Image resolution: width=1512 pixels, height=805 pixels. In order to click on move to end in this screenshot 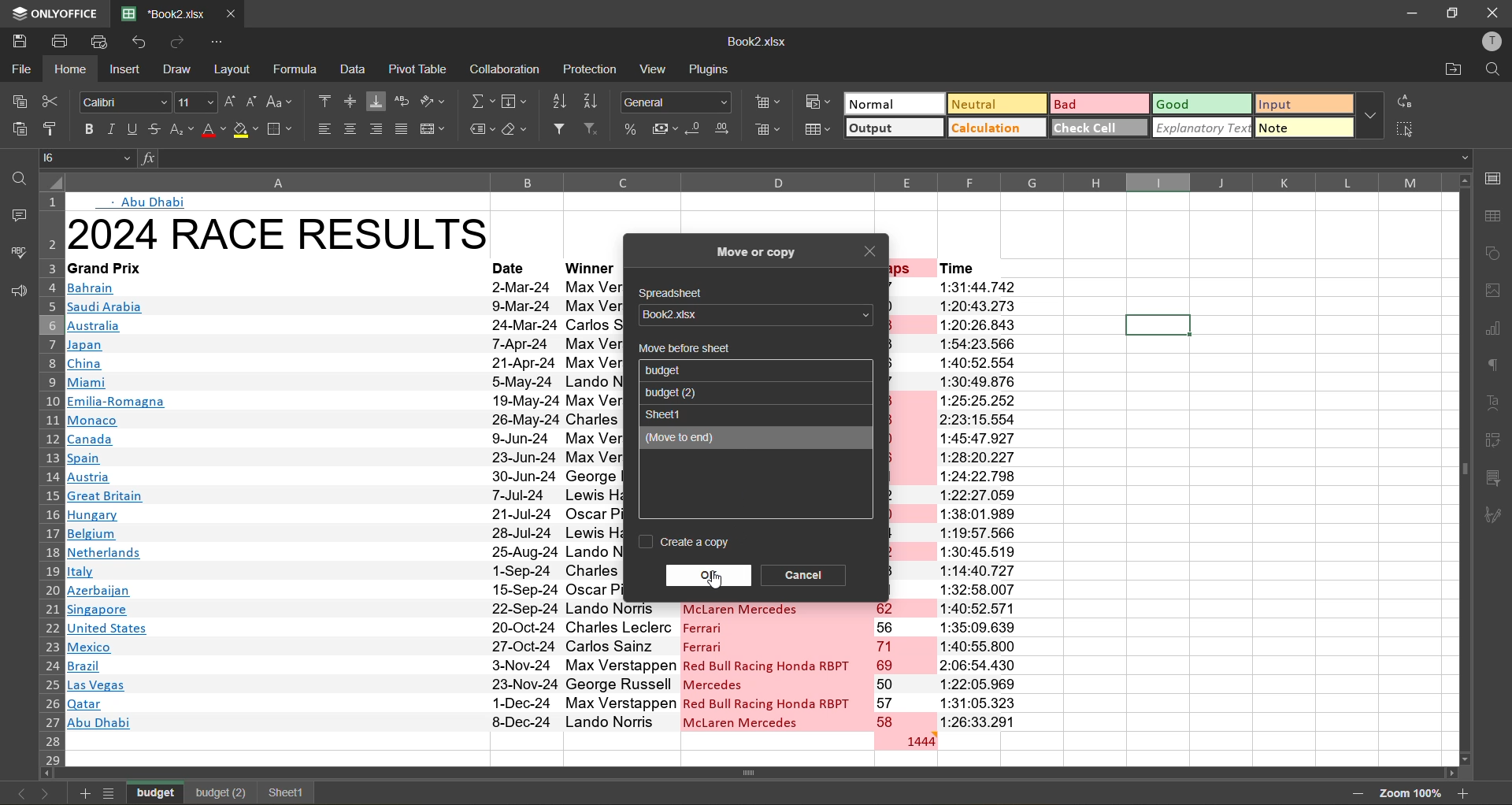, I will do `click(732, 439)`.